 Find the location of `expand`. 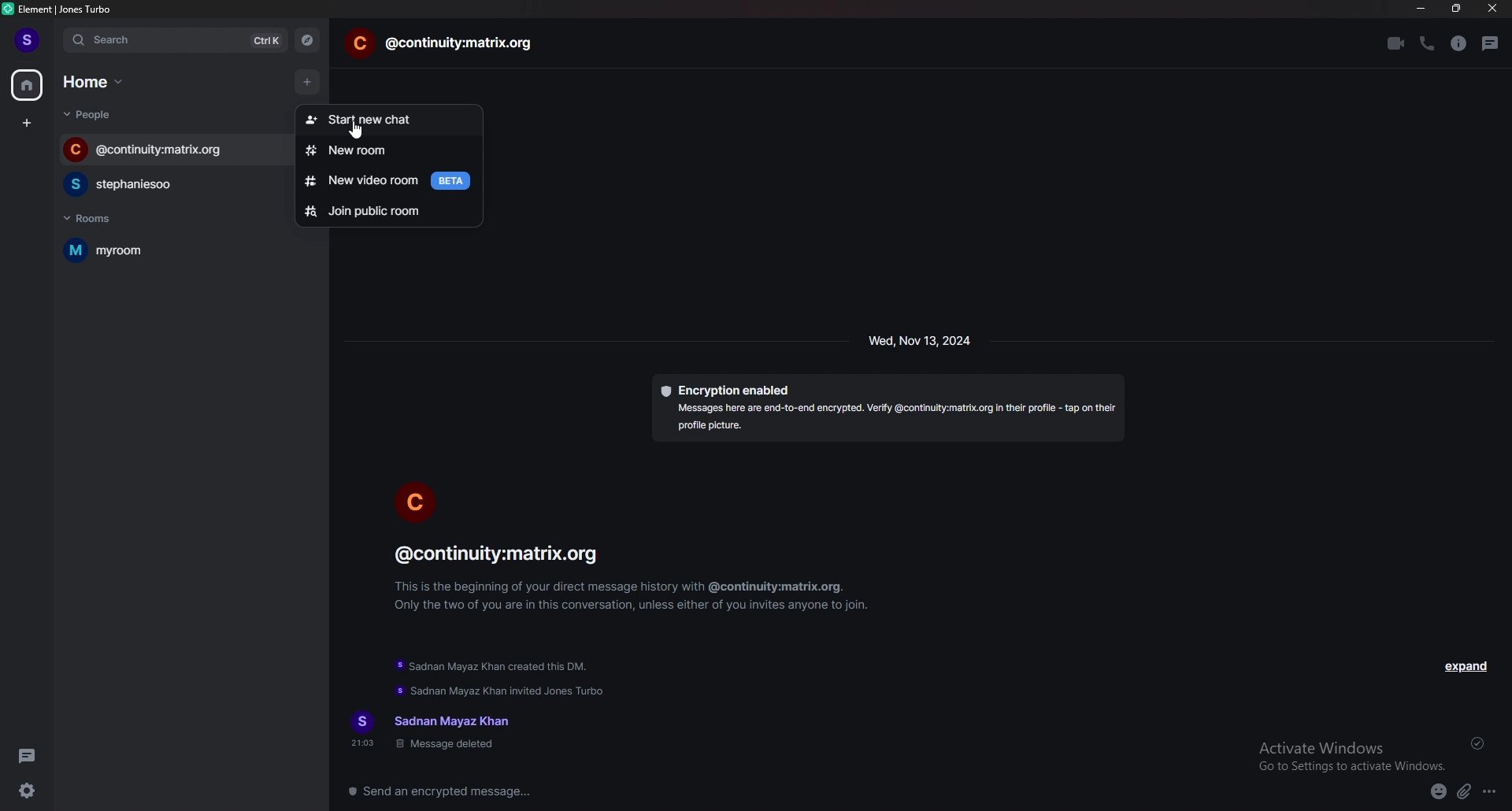

expand is located at coordinates (1465, 666).